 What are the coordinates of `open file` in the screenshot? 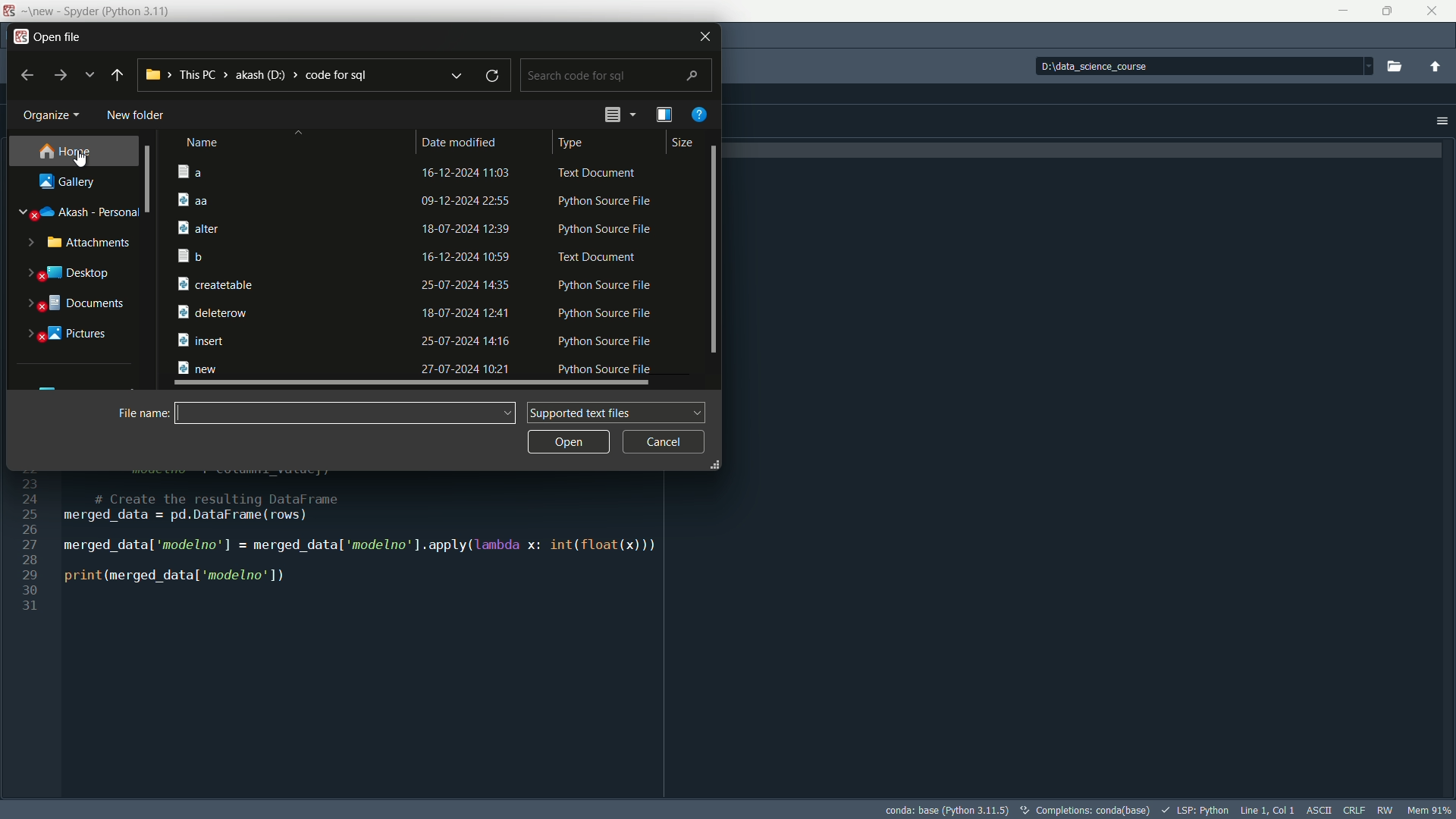 It's located at (58, 36).